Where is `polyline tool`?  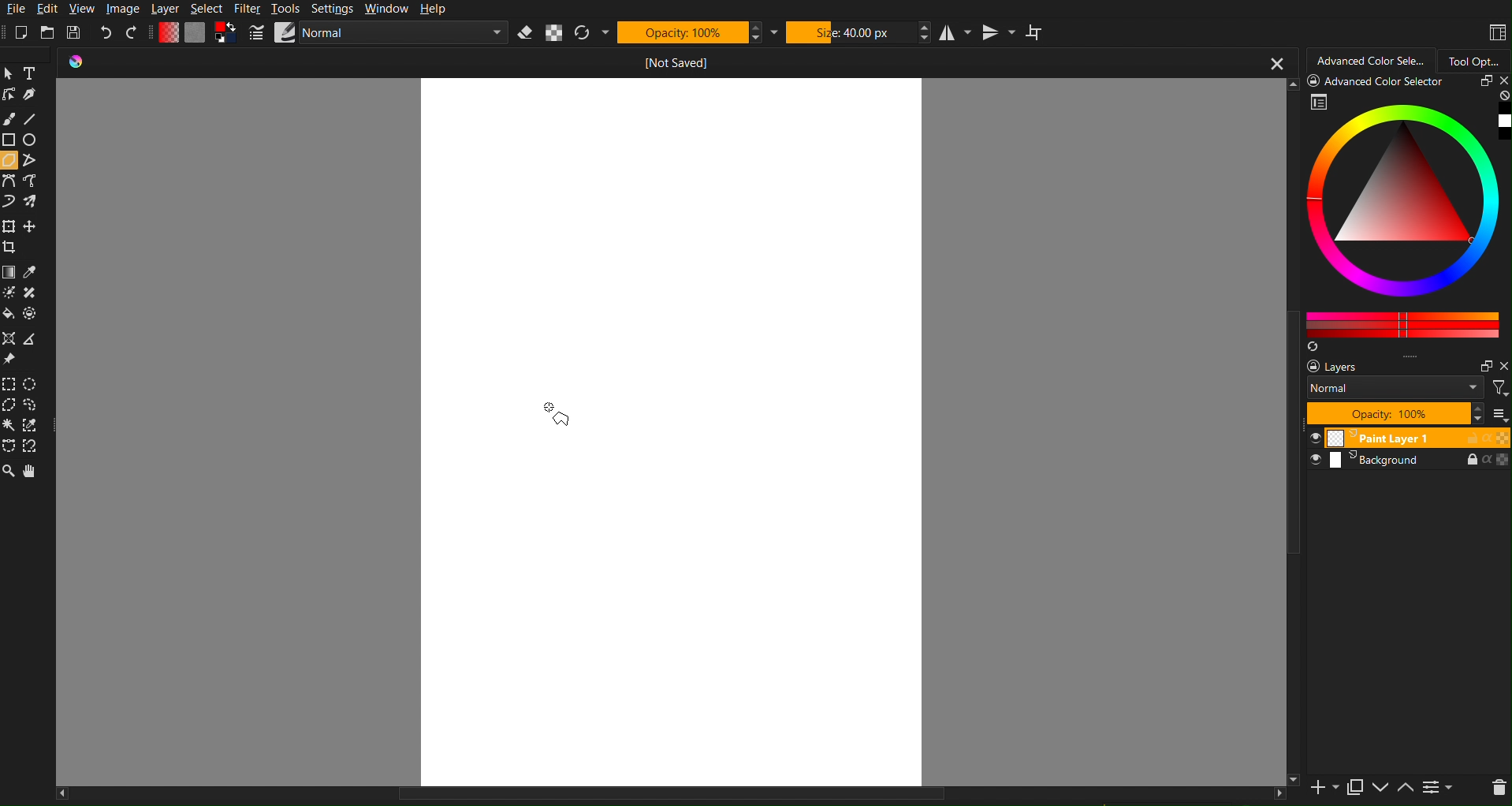 polyline tool is located at coordinates (32, 159).